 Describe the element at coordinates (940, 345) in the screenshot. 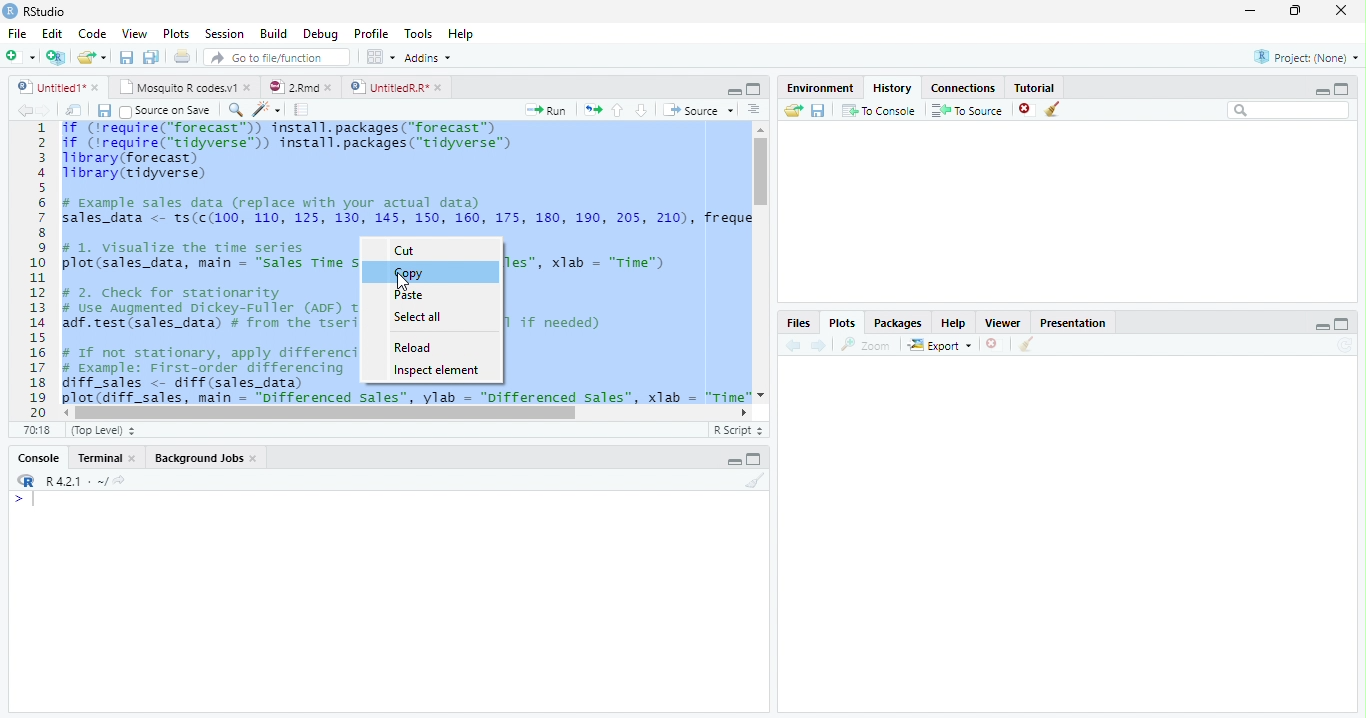

I see `Export` at that location.